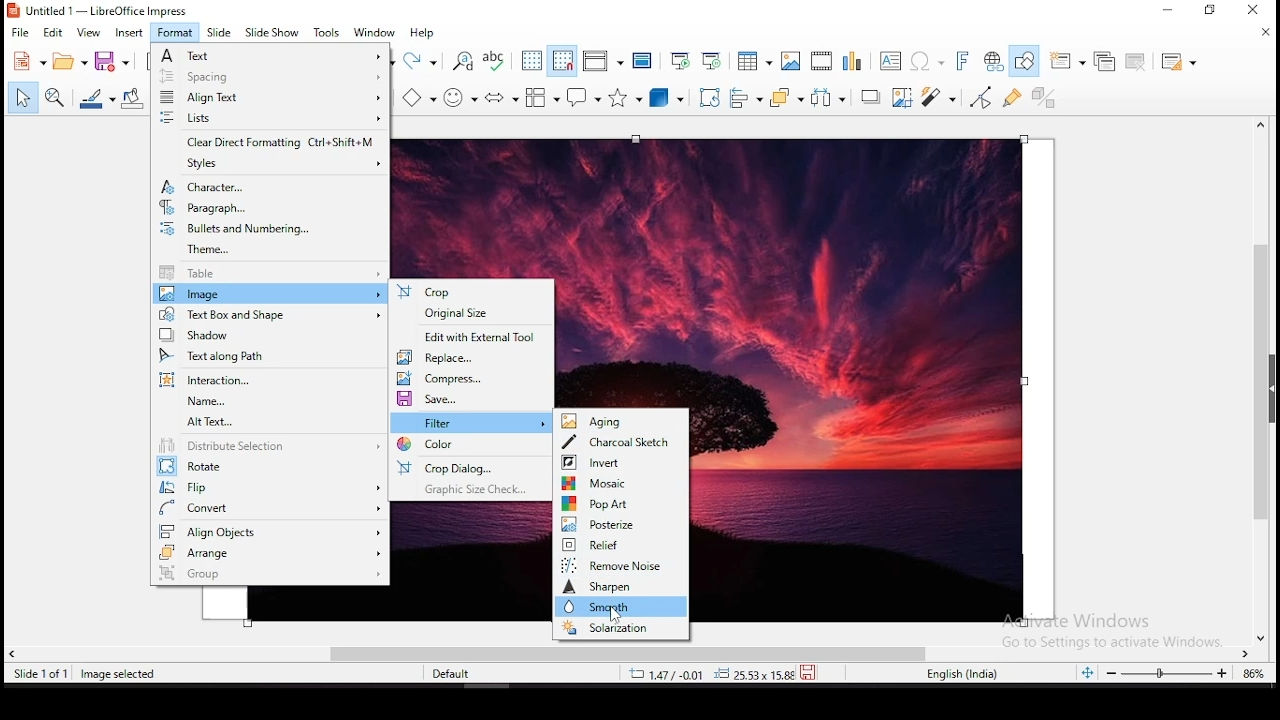 The image size is (1280, 720). Describe the element at coordinates (616, 612) in the screenshot. I see `mouse pointer` at that location.